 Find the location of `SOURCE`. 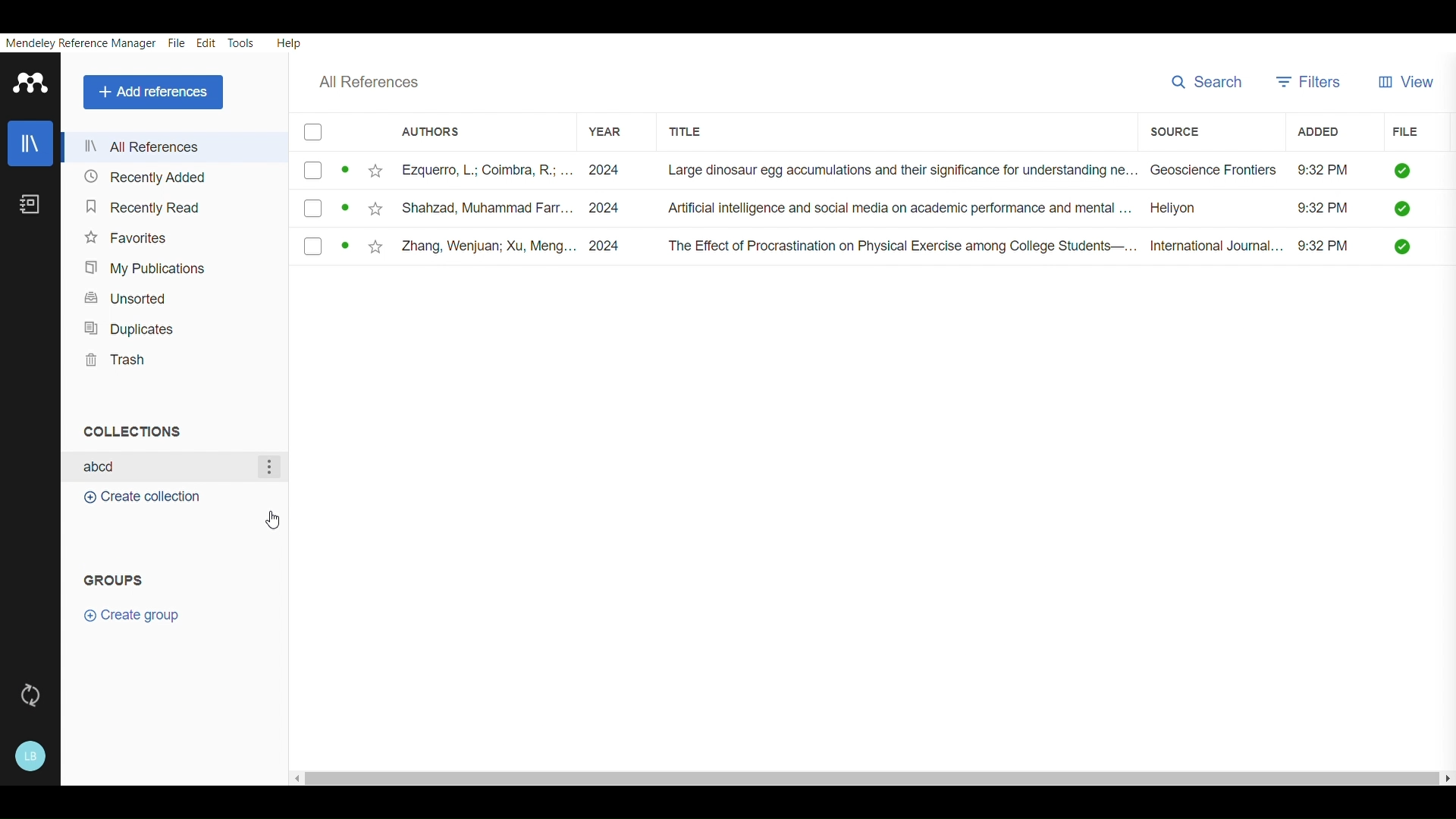

SOURCE is located at coordinates (1173, 130).